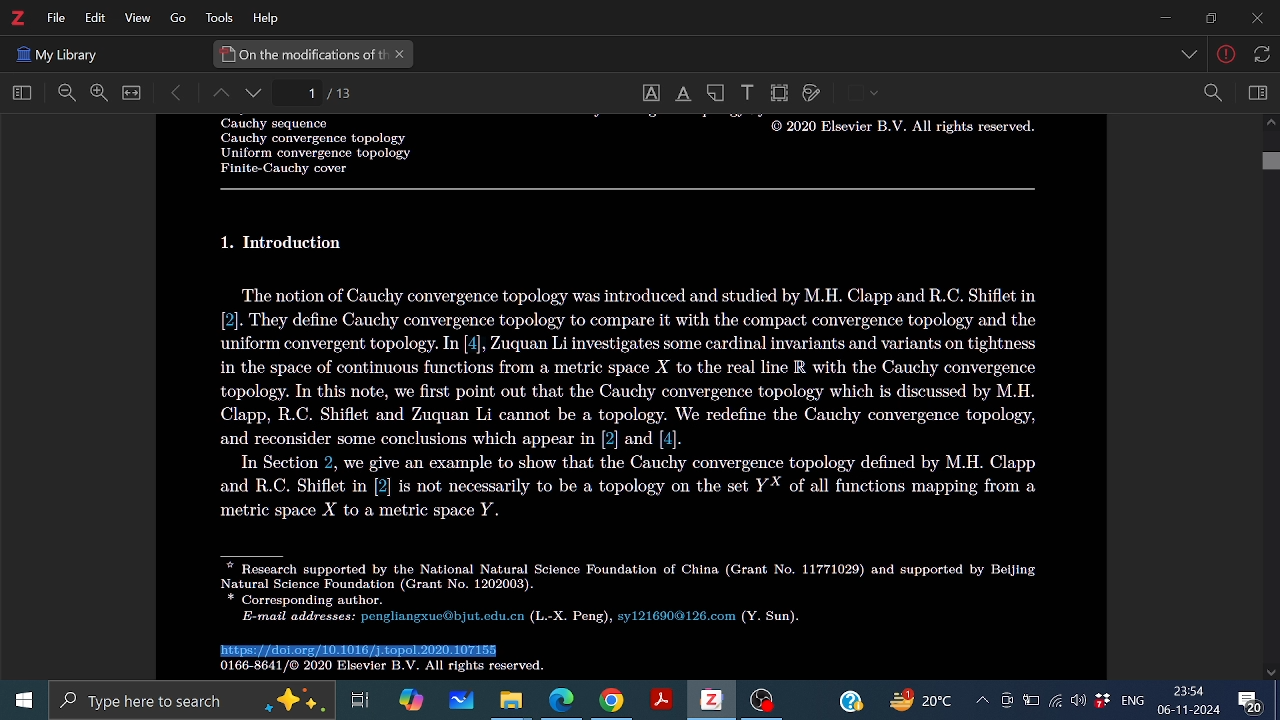 The image size is (1280, 720). What do you see at coordinates (18, 94) in the screenshot?
I see `Home view` at bounding box center [18, 94].